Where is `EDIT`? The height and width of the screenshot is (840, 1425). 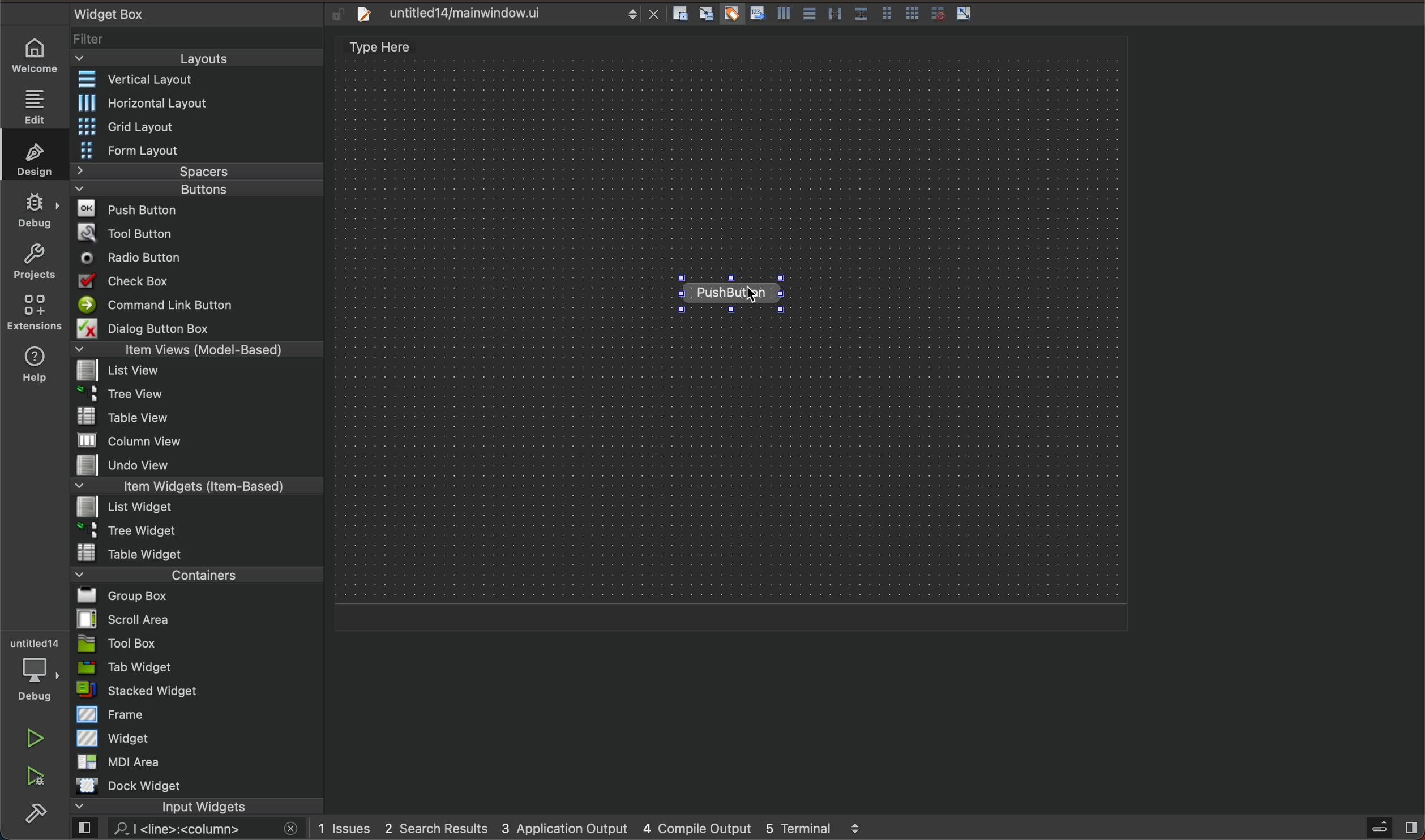 EDIT is located at coordinates (38, 106).